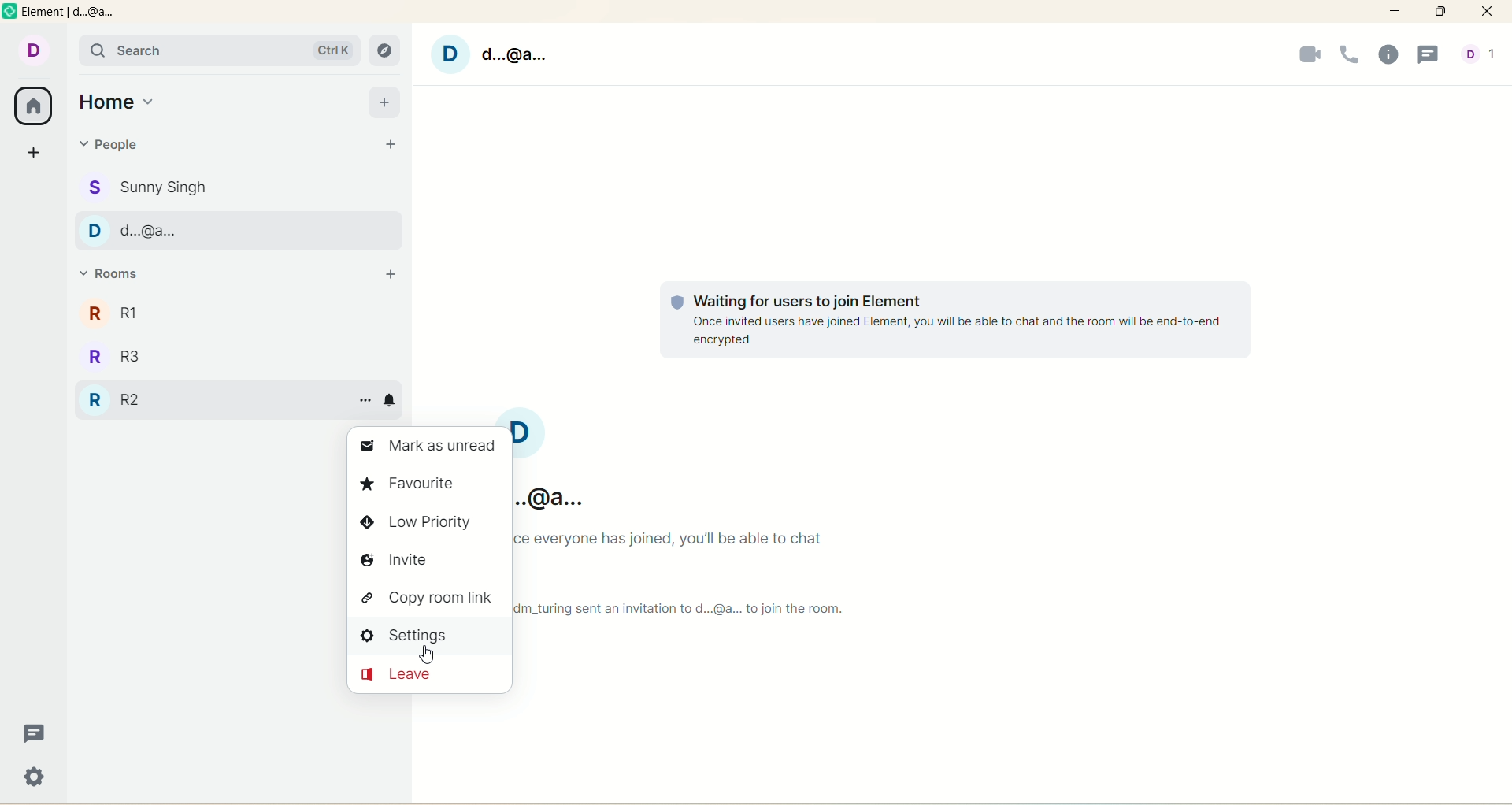  Describe the element at coordinates (35, 735) in the screenshot. I see `threads` at that location.